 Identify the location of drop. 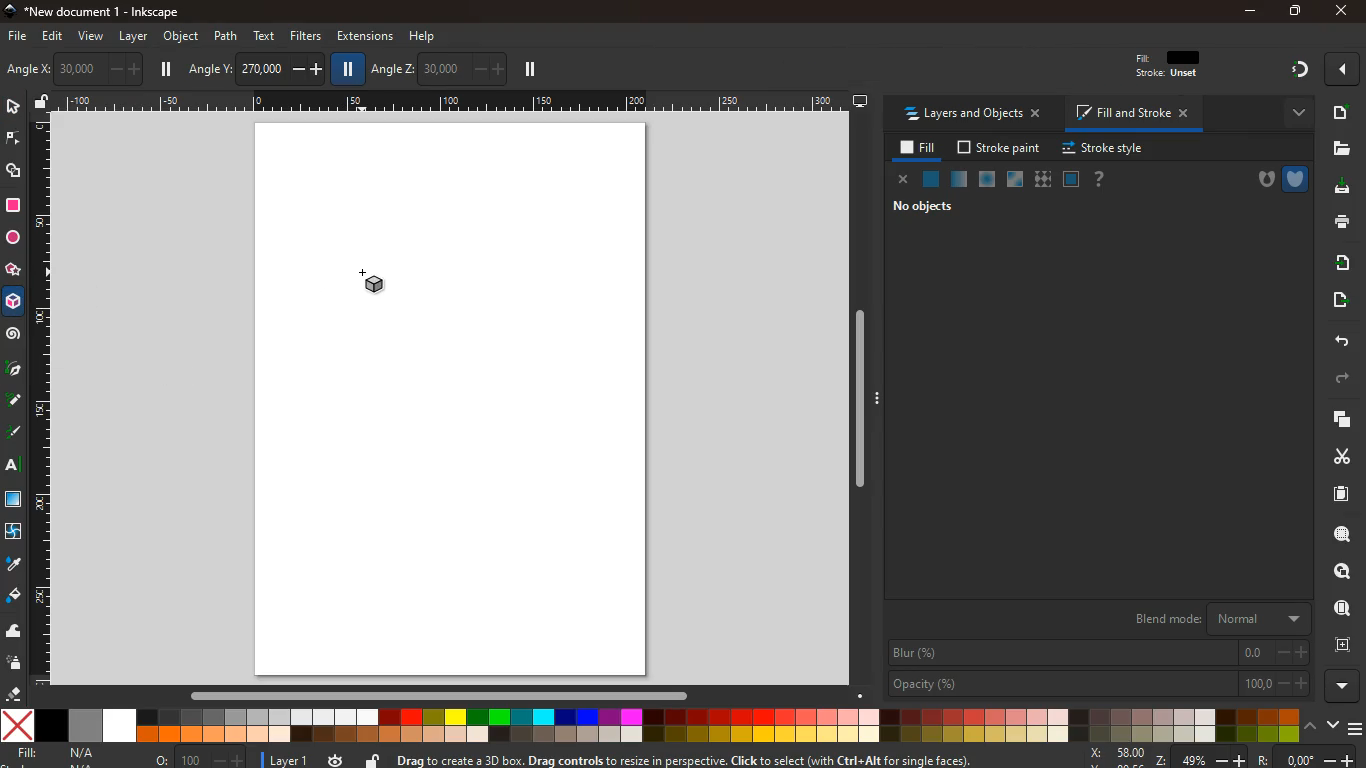
(12, 564).